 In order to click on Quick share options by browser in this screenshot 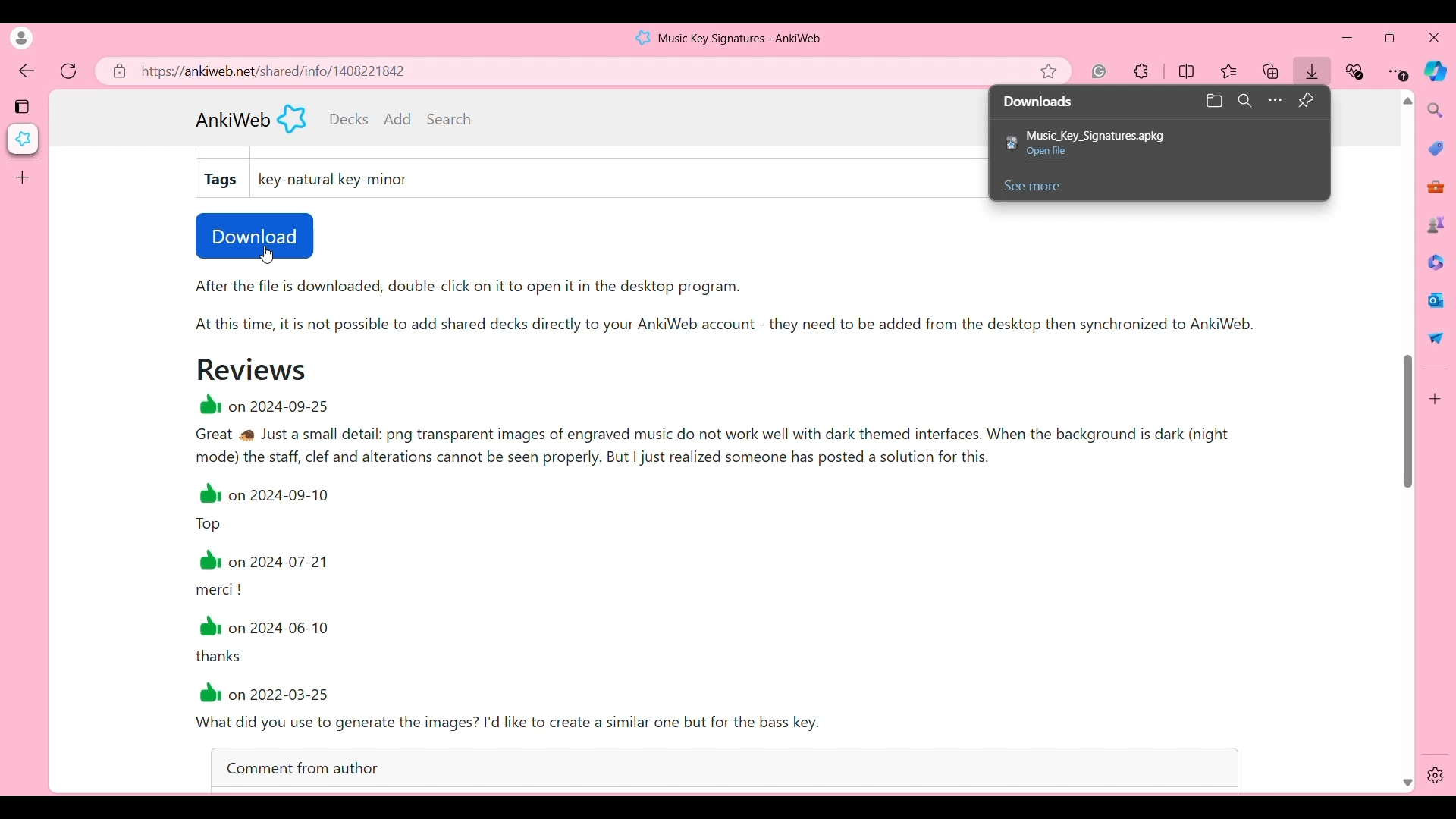, I will do `click(1436, 337)`.